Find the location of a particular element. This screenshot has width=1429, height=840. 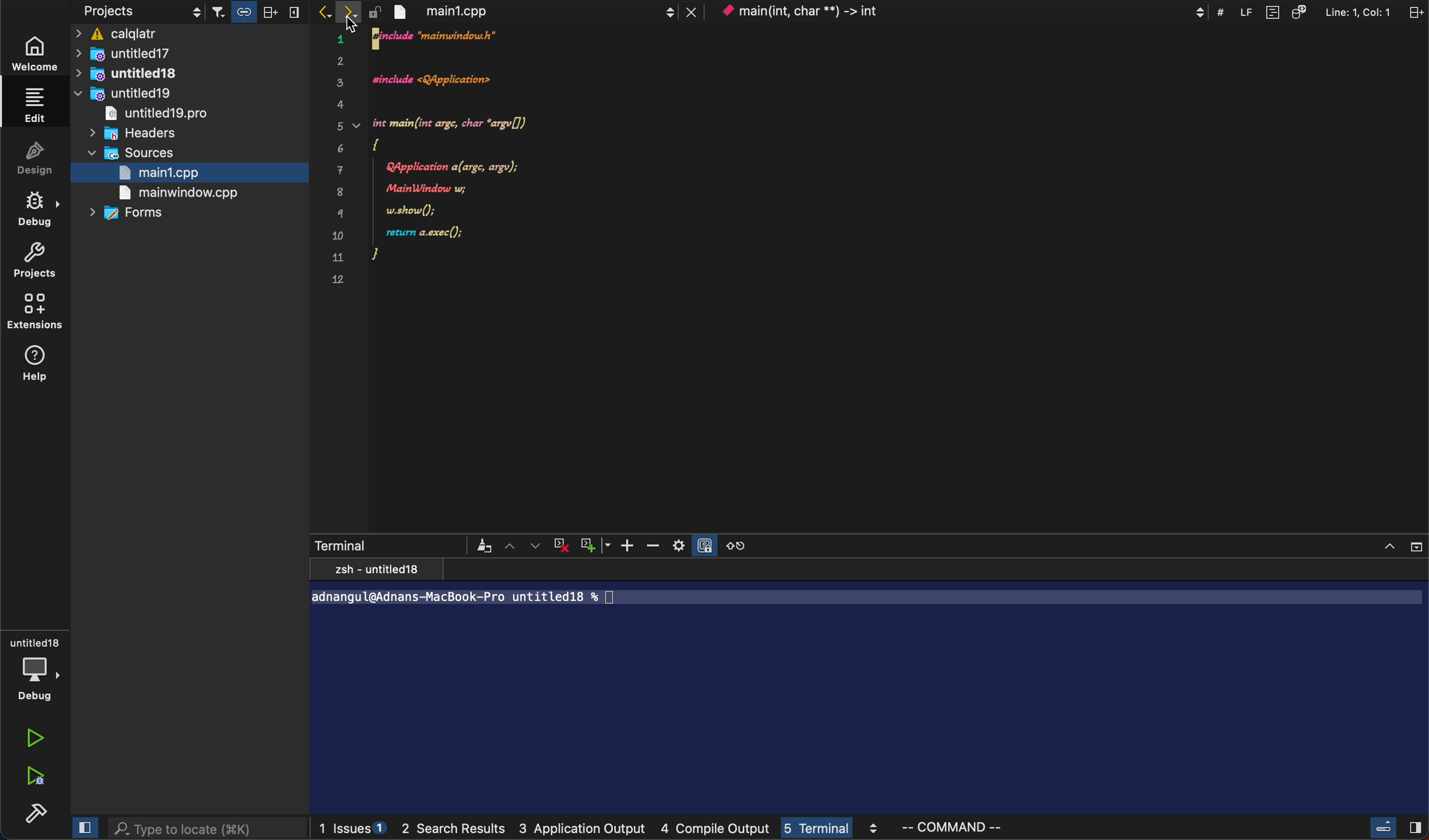

Terminal is located at coordinates (352, 544).